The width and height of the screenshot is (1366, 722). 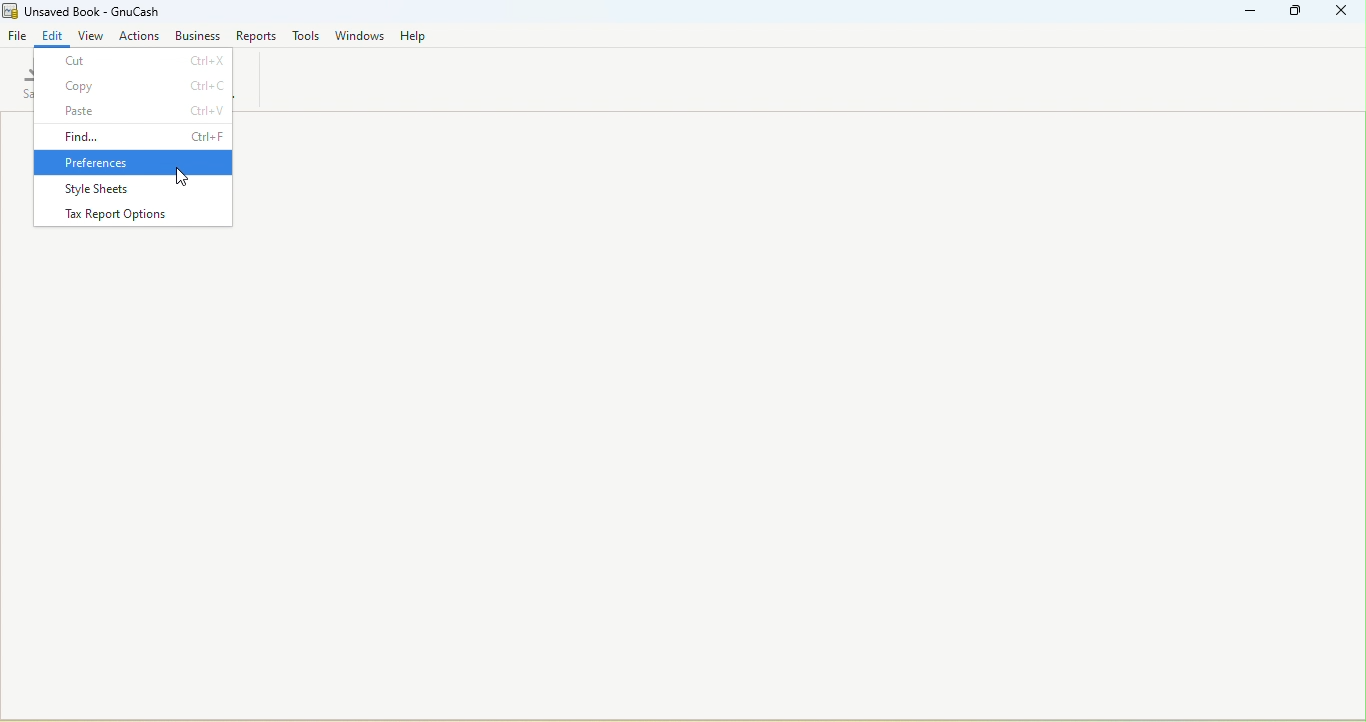 I want to click on edit, so click(x=54, y=35).